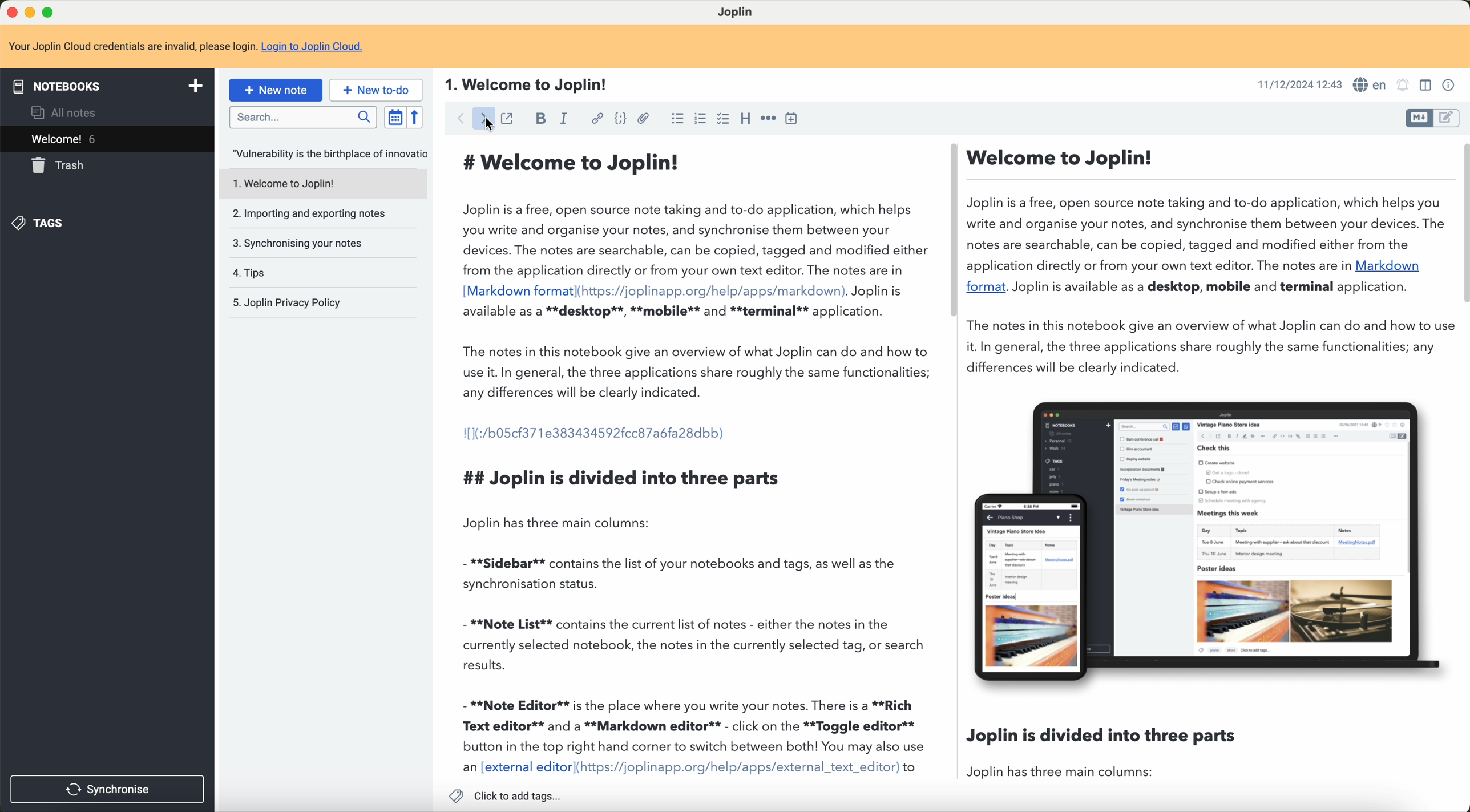 Image resolution: width=1470 pixels, height=812 pixels. What do you see at coordinates (375, 91) in the screenshot?
I see `new to-do` at bounding box center [375, 91].